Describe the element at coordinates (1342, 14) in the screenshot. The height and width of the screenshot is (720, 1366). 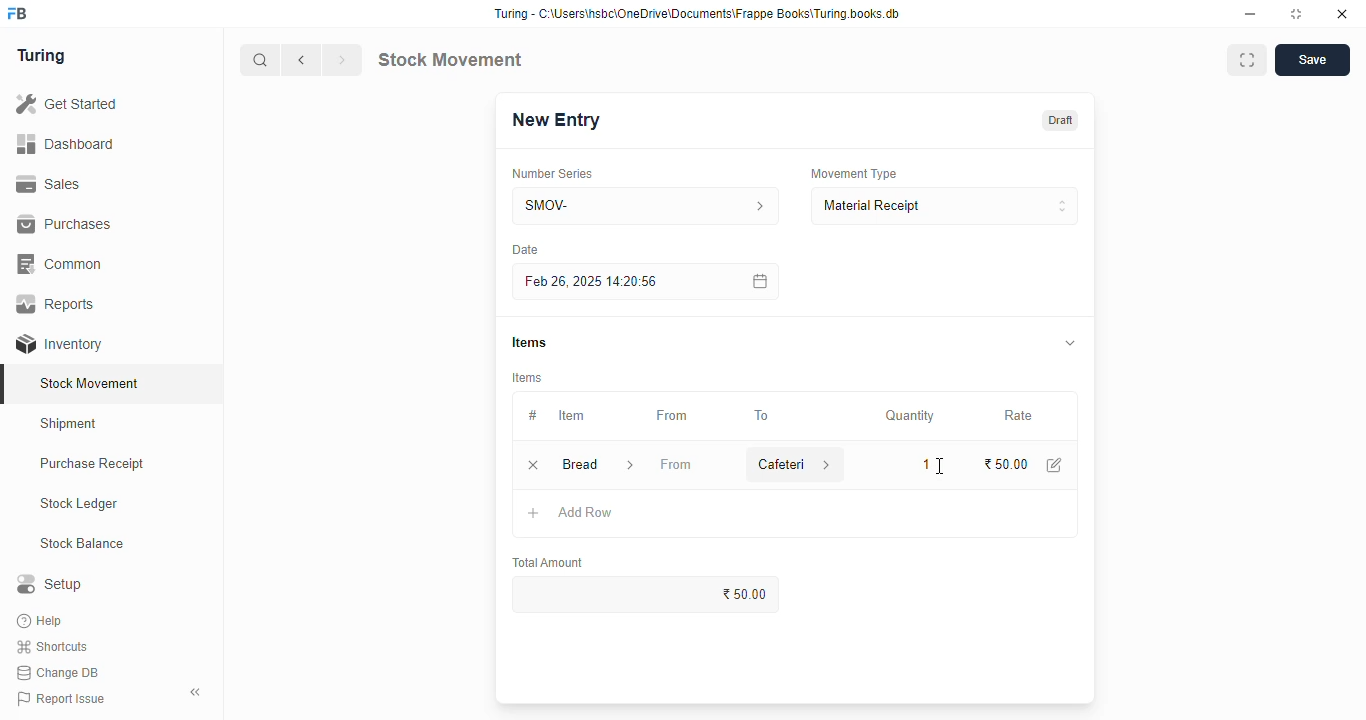
I see `close` at that location.